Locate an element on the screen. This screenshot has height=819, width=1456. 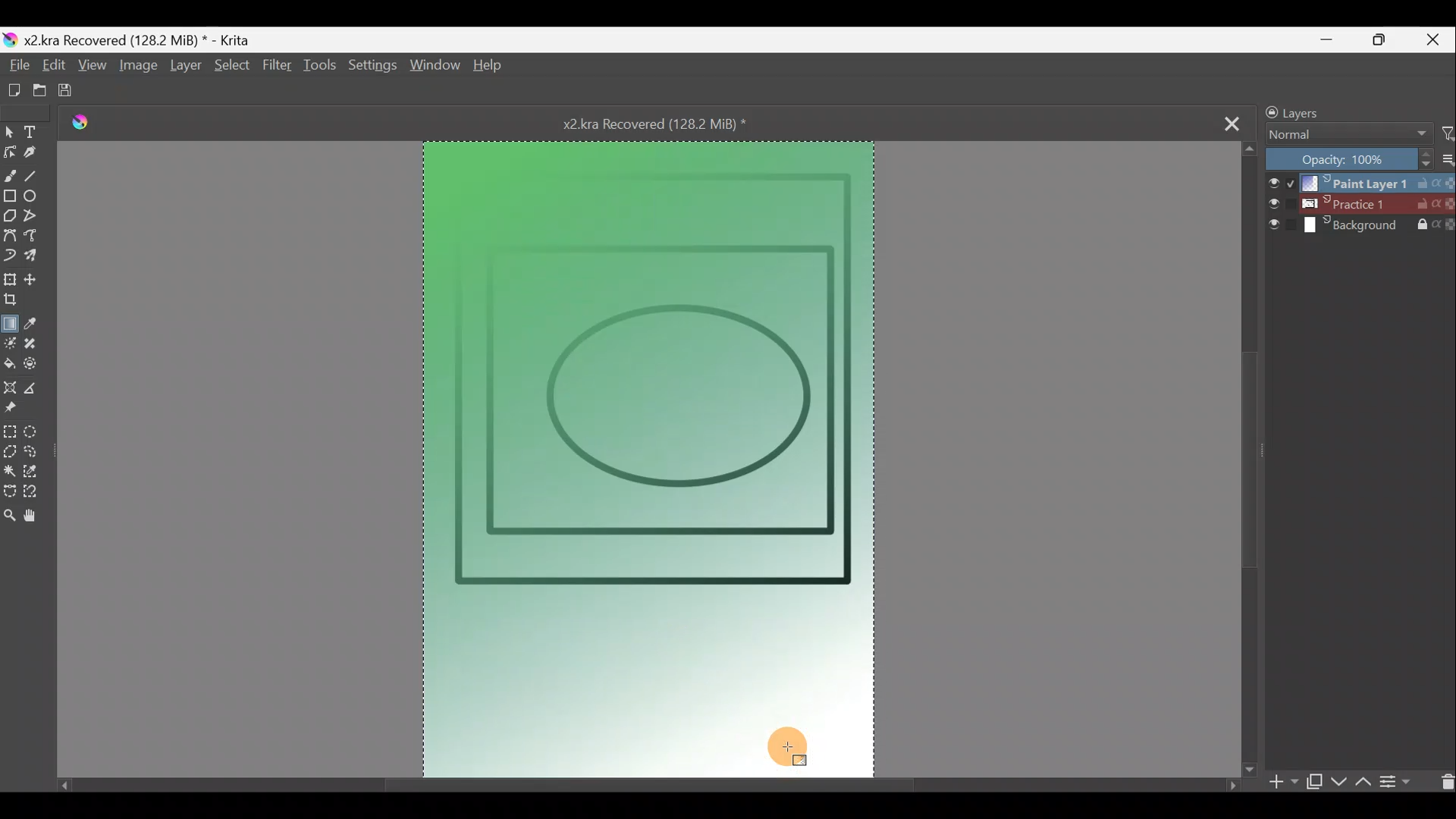
Canvas is located at coordinates (651, 453).